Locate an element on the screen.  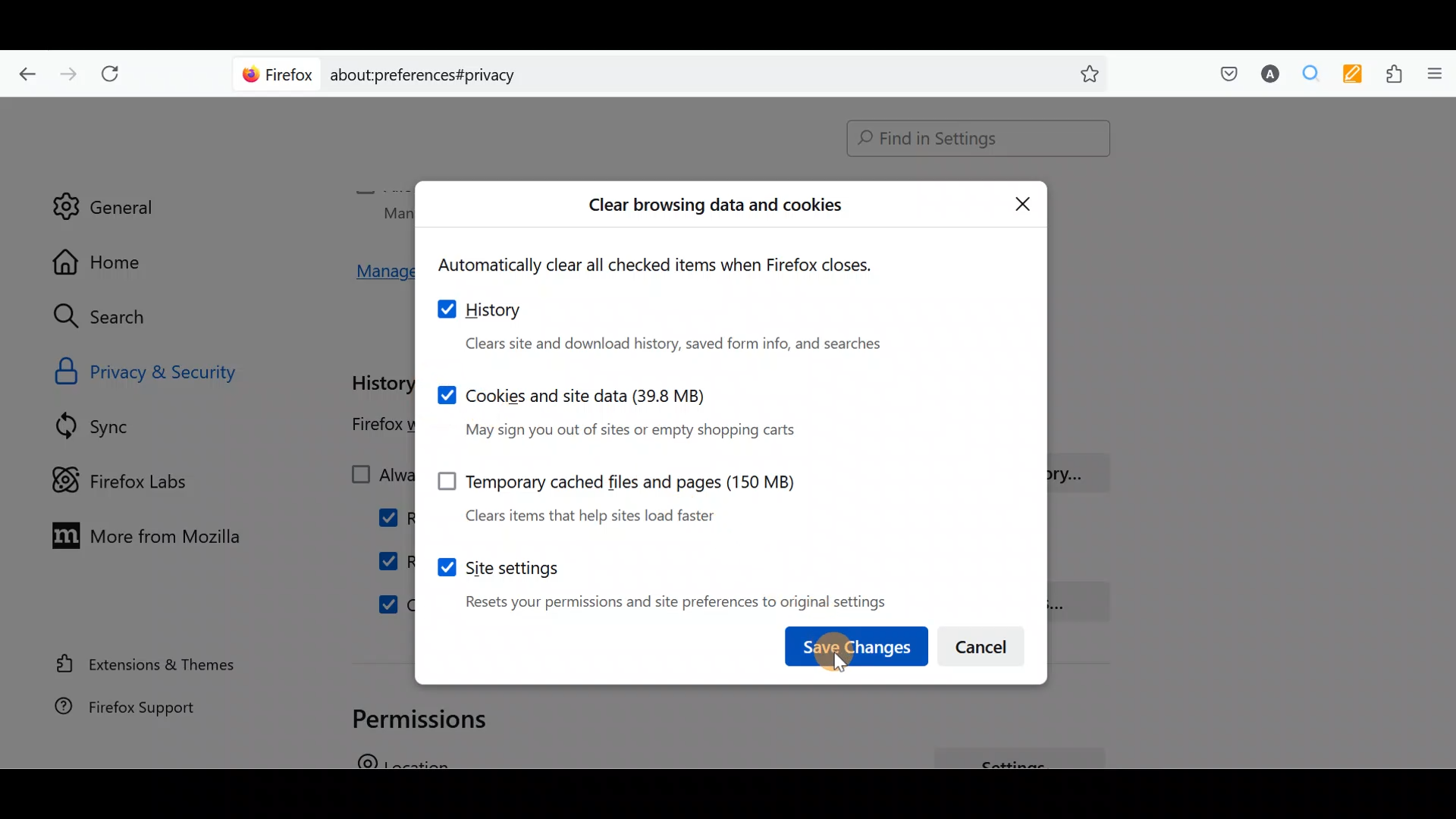
Cancel is located at coordinates (984, 642).